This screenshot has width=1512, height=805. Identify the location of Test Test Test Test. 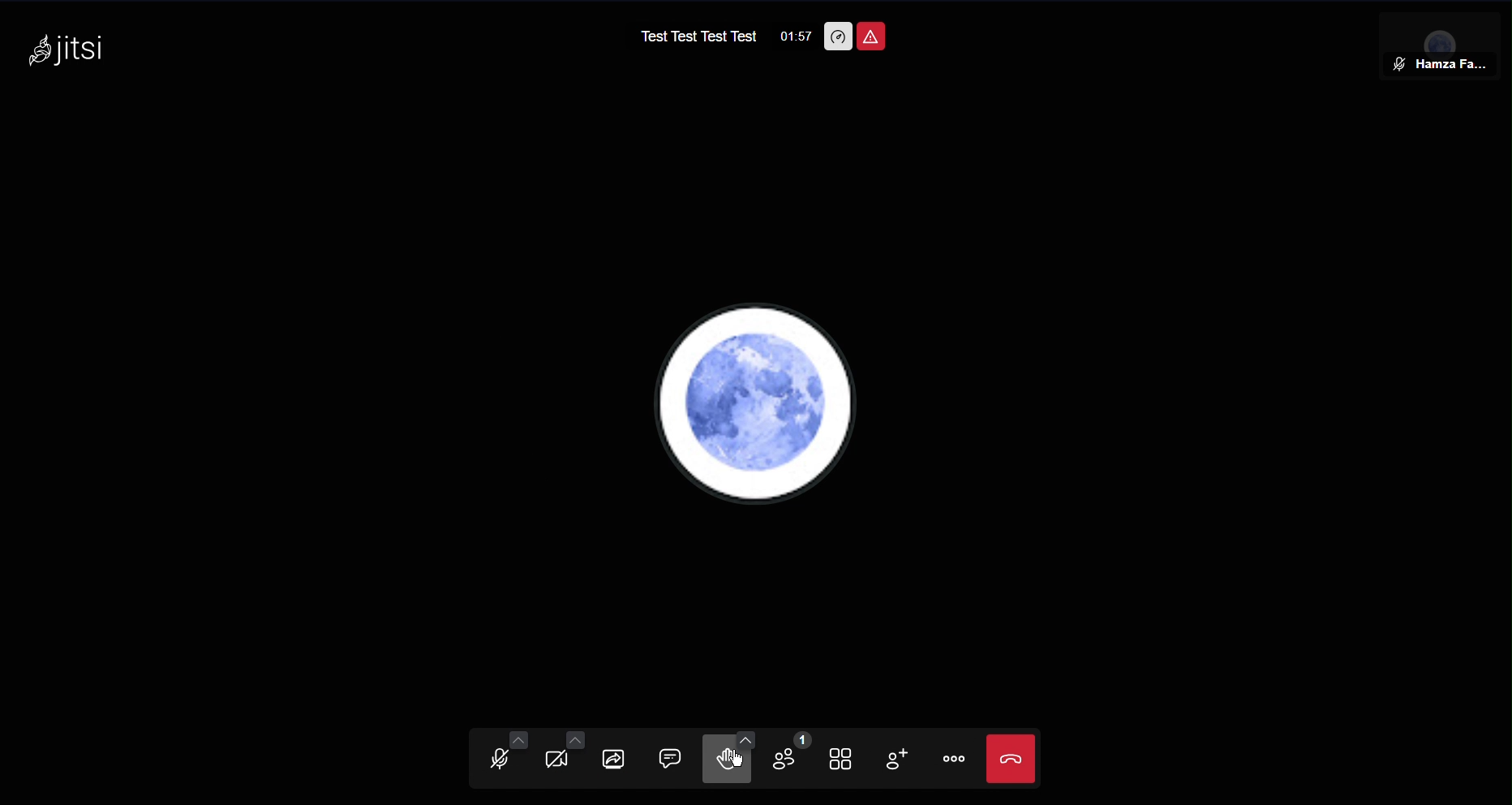
(694, 37).